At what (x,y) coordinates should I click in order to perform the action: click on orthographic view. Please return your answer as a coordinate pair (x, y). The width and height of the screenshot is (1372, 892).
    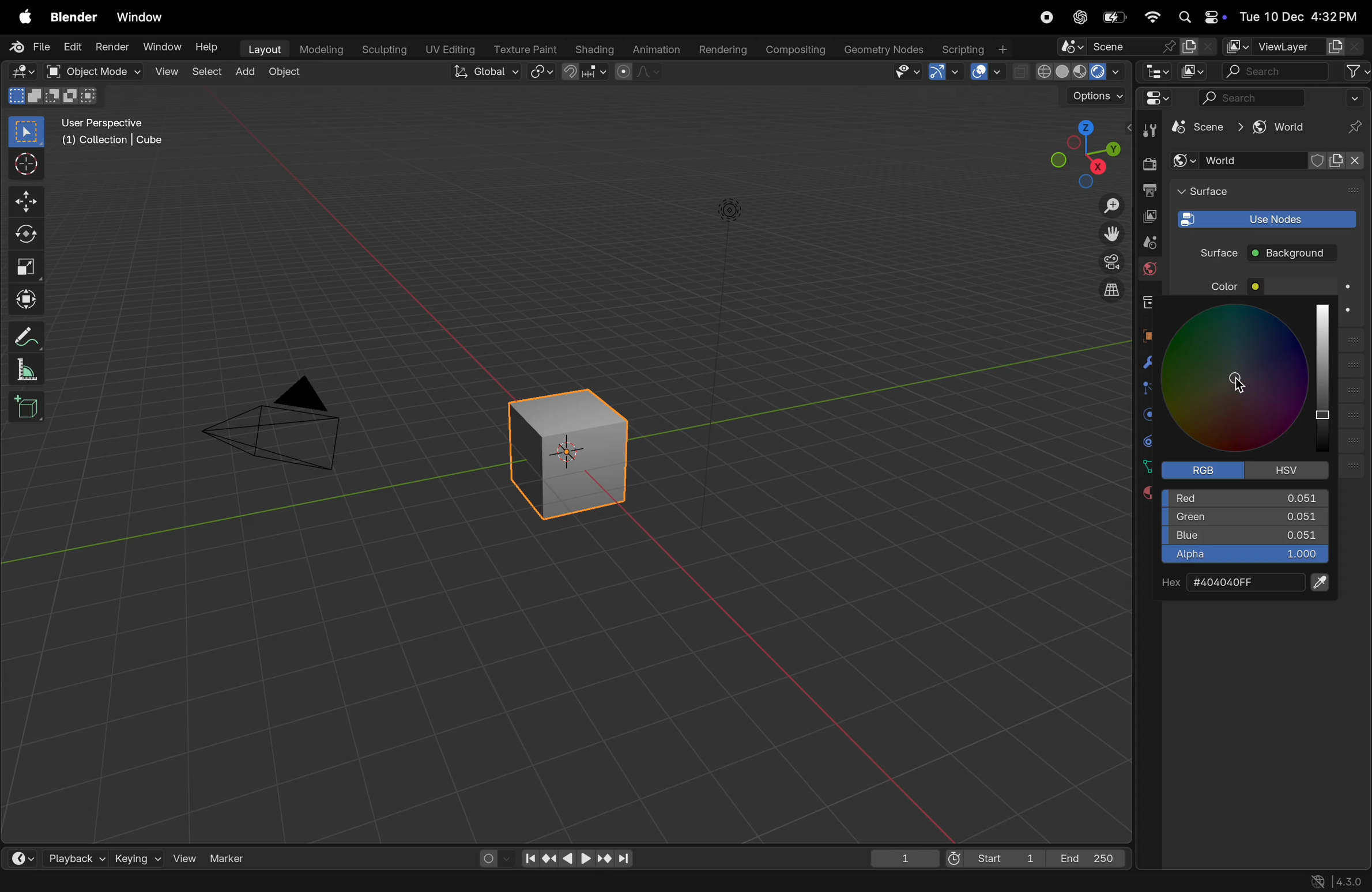
    Looking at the image, I should click on (1105, 290).